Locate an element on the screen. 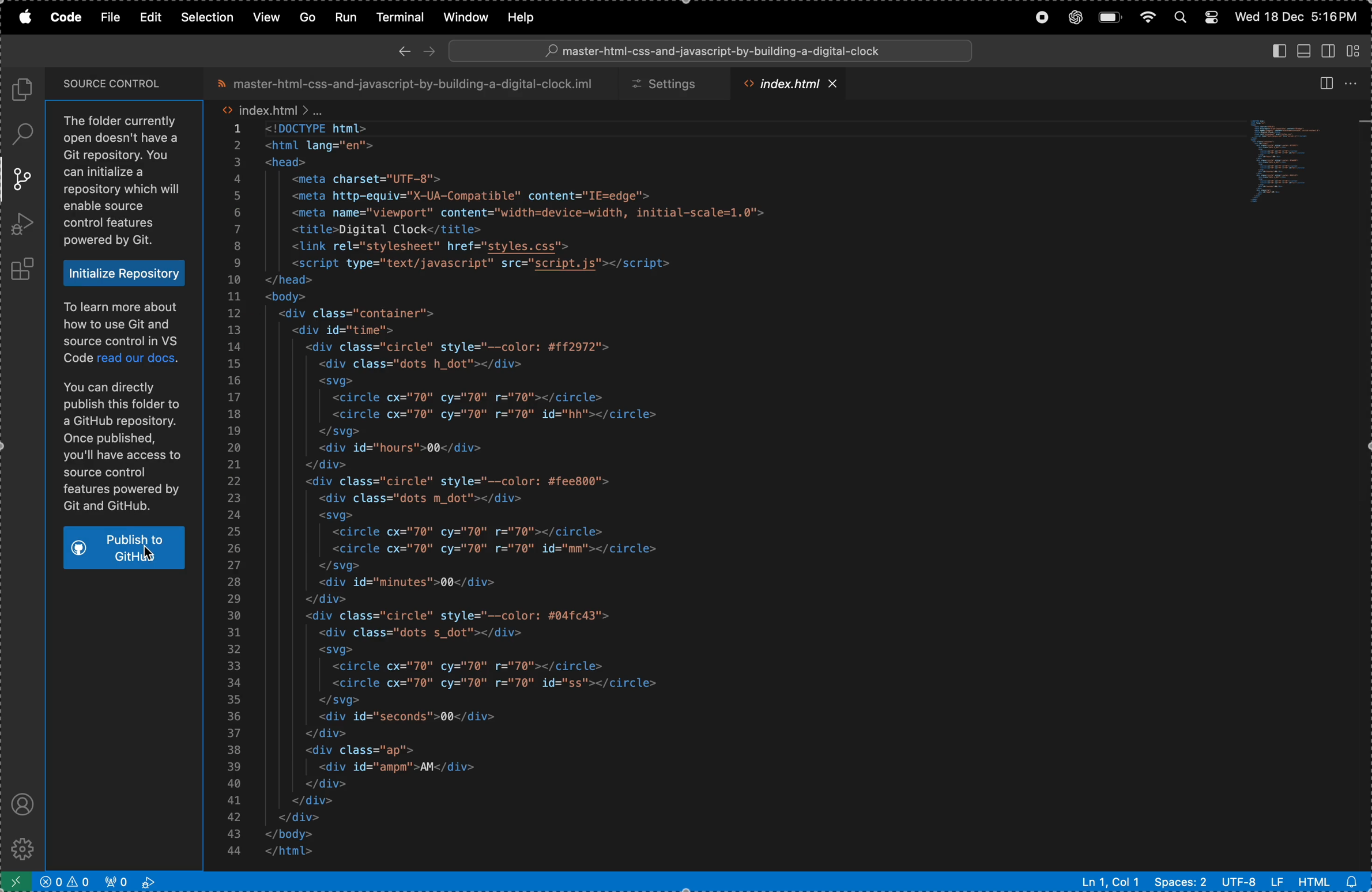  </div> is located at coordinates (332, 784).